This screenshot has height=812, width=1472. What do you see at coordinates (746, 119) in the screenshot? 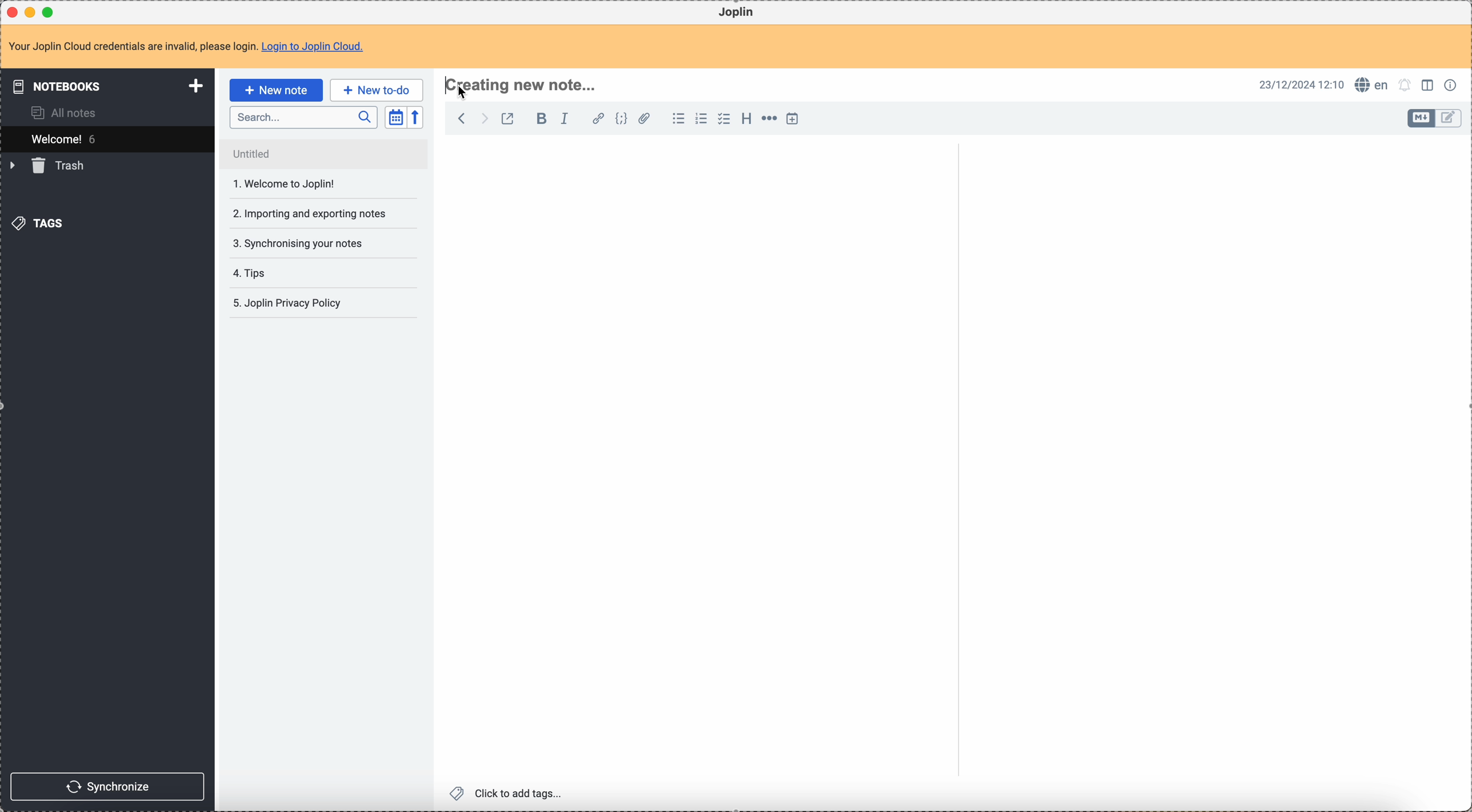
I see `heading` at bounding box center [746, 119].